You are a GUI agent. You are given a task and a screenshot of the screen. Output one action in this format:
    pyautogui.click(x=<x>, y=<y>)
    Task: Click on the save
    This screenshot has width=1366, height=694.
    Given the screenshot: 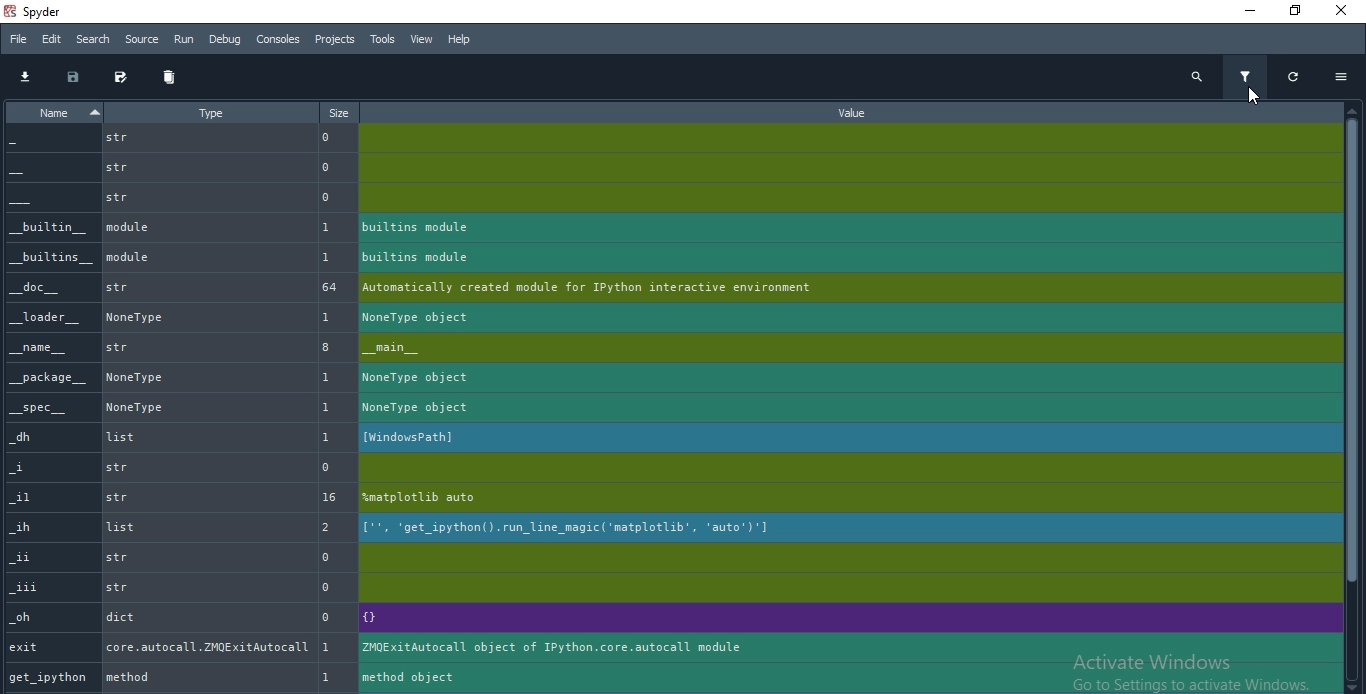 What is the action you would take?
    pyautogui.click(x=74, y=74)
    